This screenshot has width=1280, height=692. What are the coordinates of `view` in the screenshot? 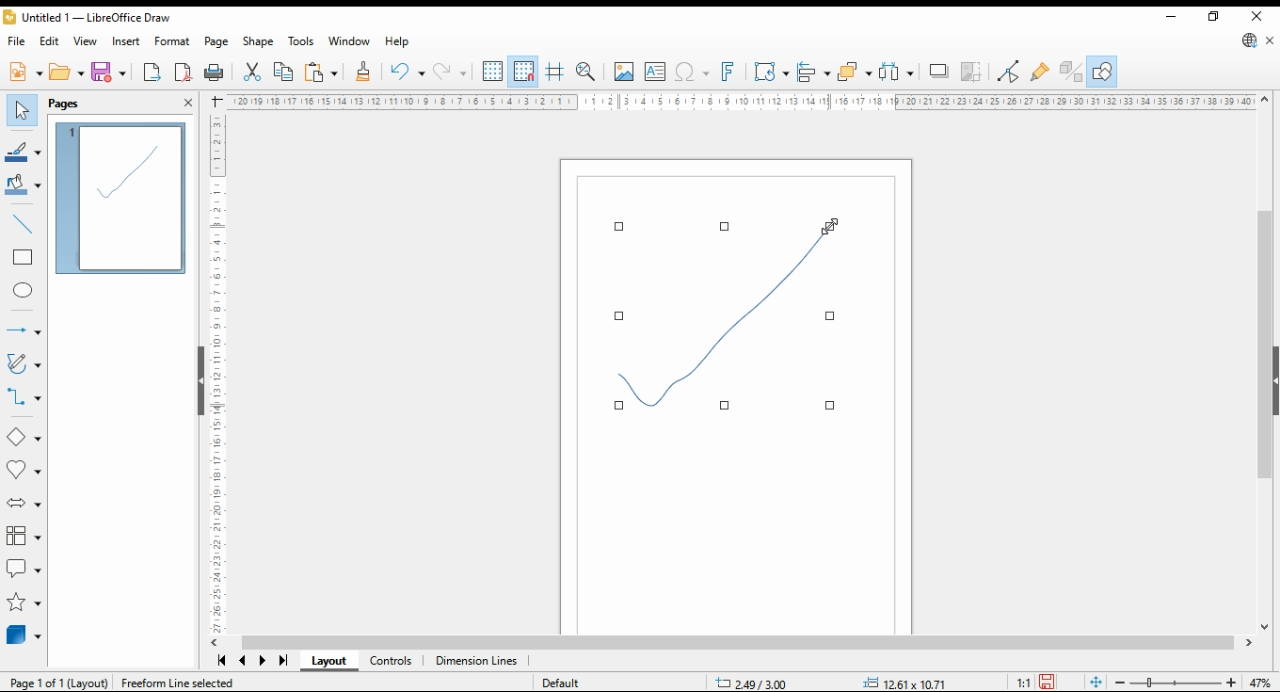 It's located at (87, 40).